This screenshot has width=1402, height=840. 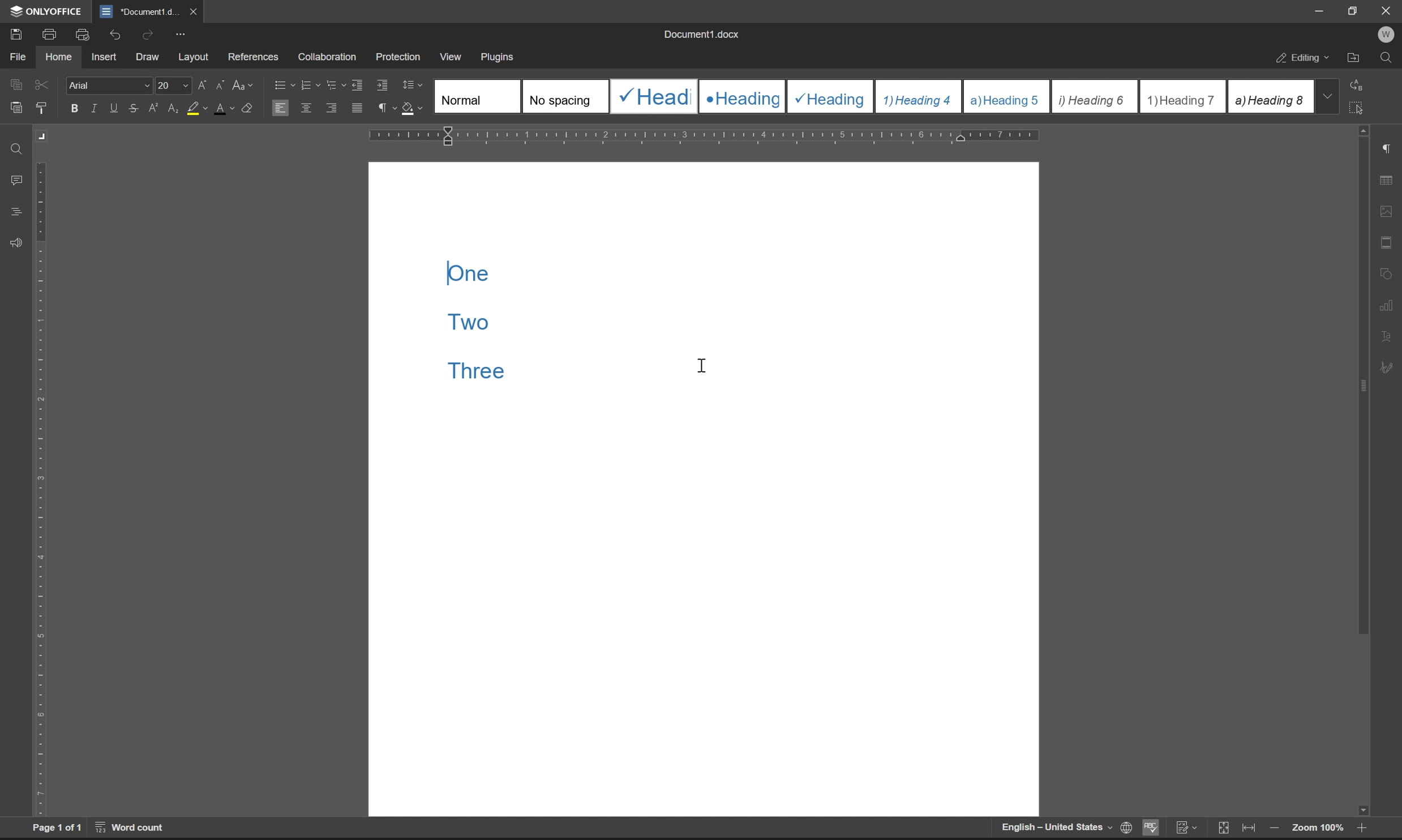 I want to click on print, so click(x=53, y=33).